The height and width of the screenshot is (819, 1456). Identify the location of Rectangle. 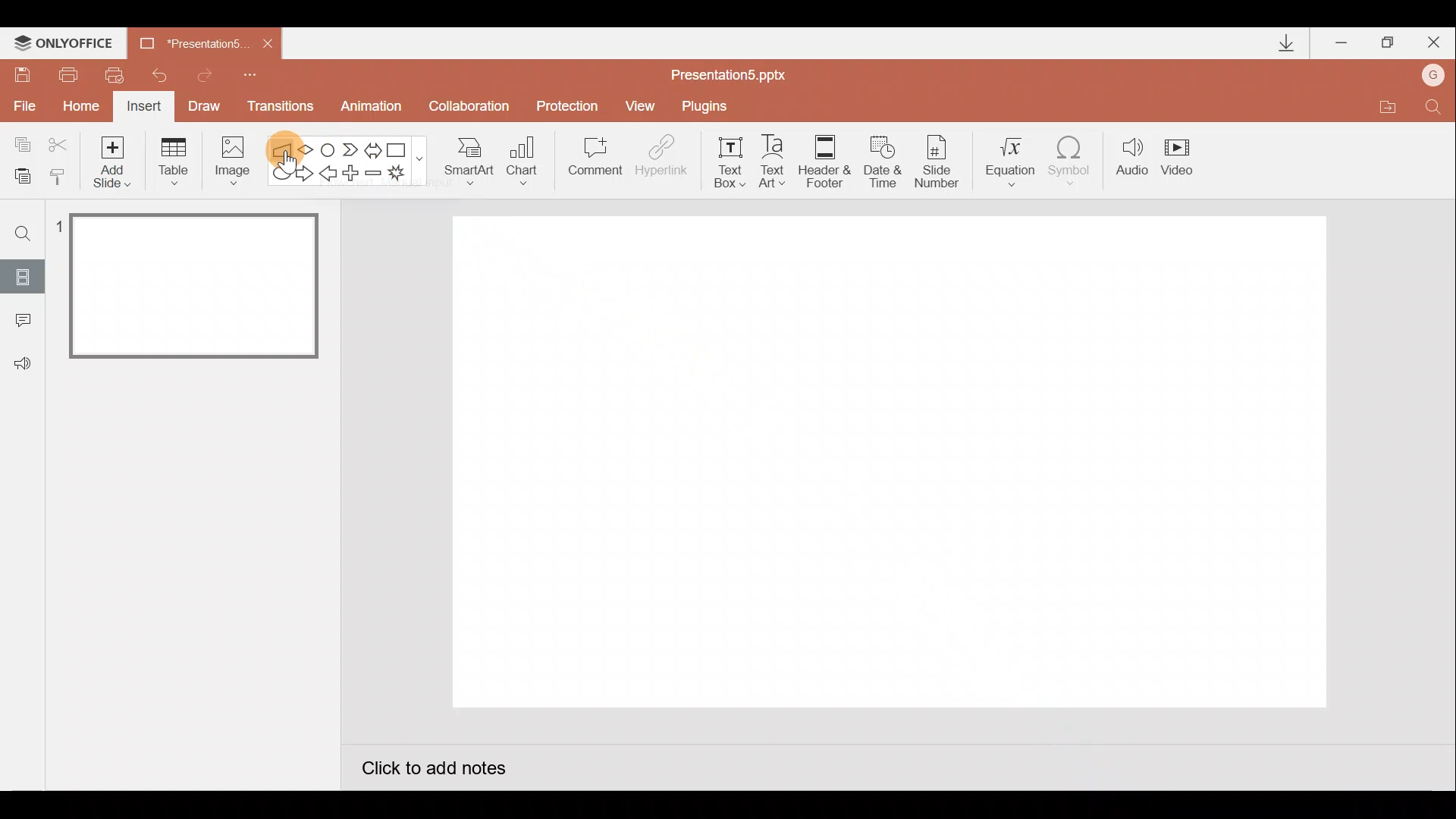
(400, 149).